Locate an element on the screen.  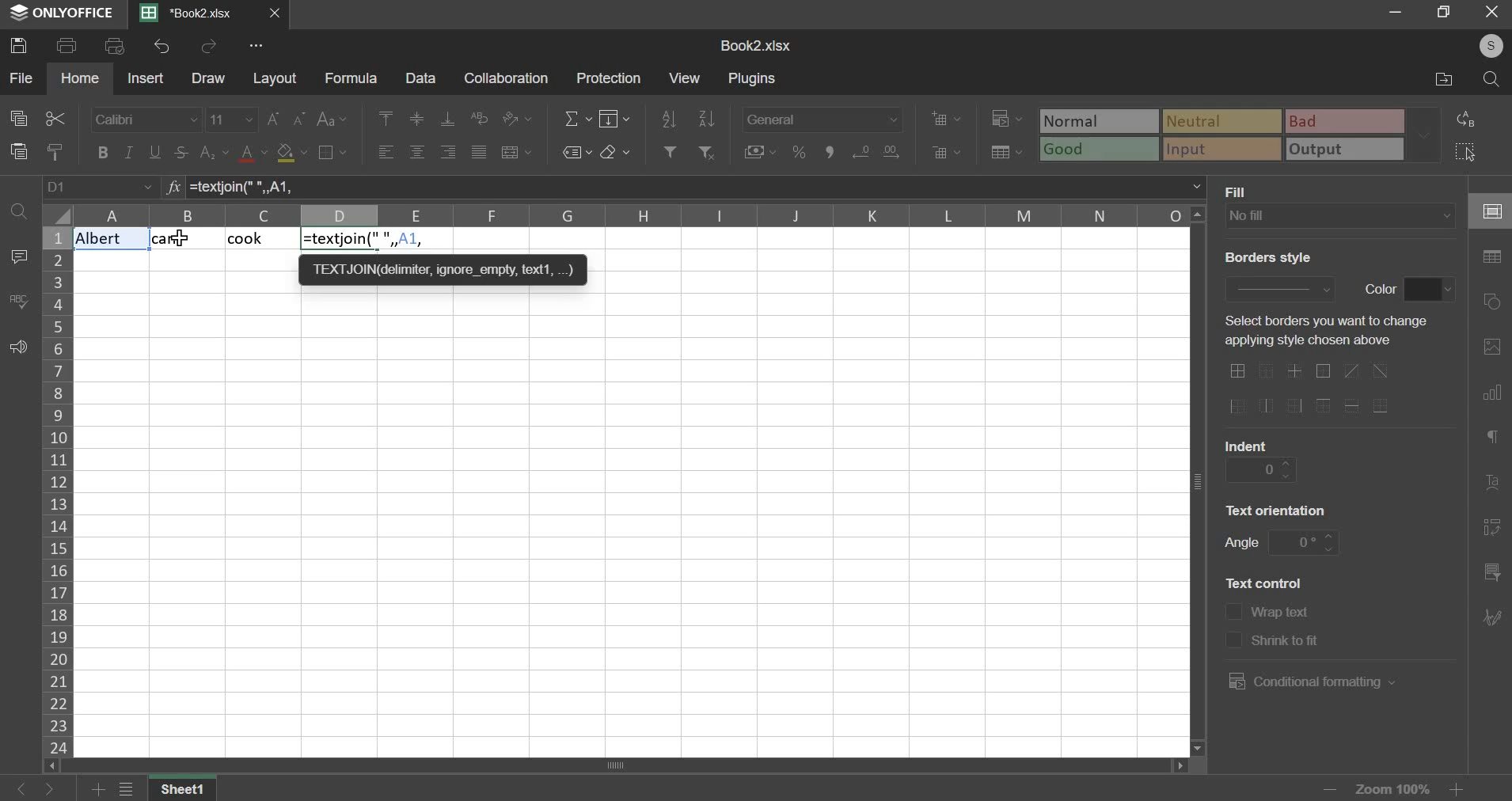
view is located at coordinates (684, 77).